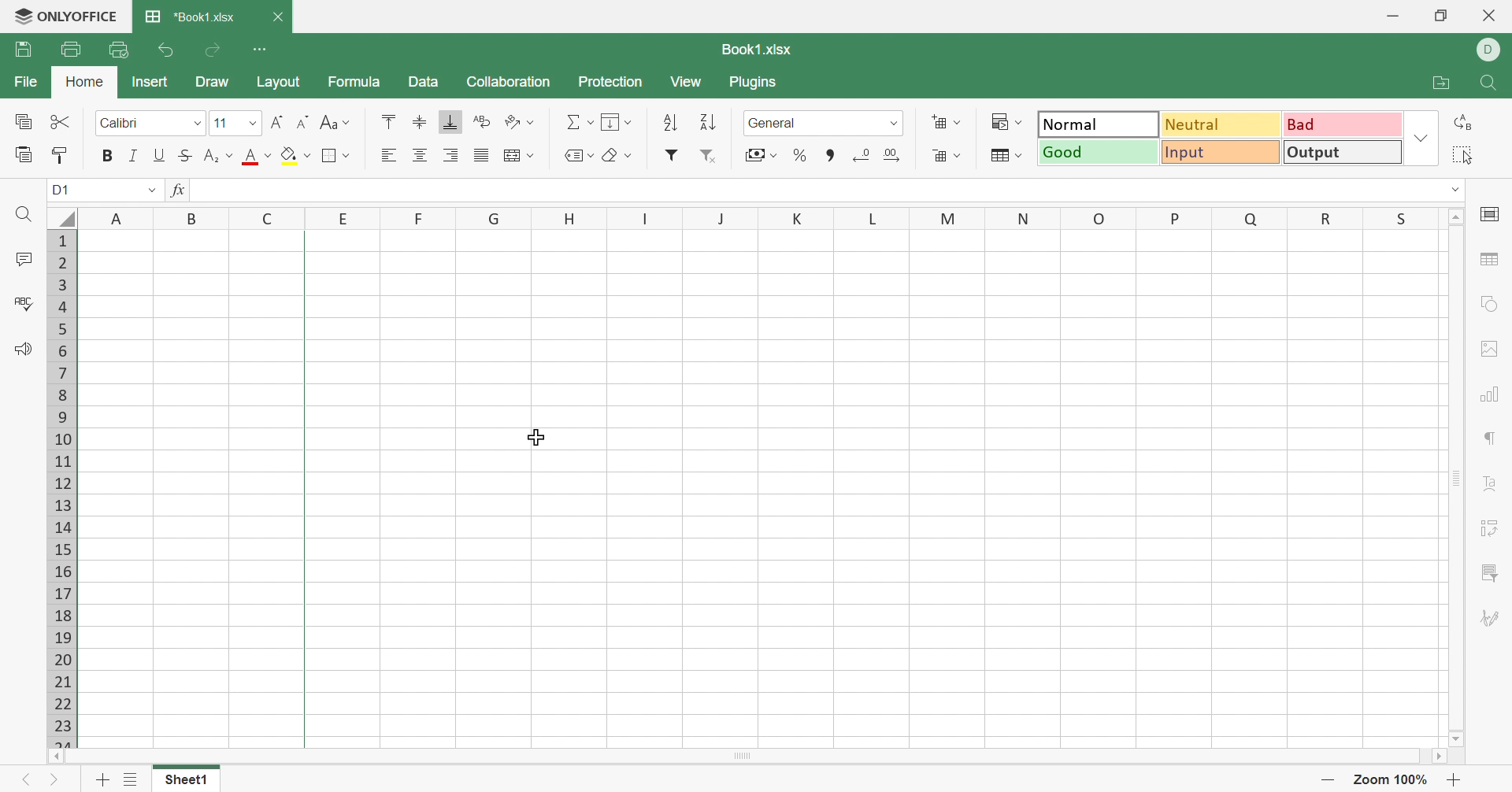 The image size is (1512, 792). Describe the element at coordinates (24, 258) in the screenshot. I see `Comments` at that location.